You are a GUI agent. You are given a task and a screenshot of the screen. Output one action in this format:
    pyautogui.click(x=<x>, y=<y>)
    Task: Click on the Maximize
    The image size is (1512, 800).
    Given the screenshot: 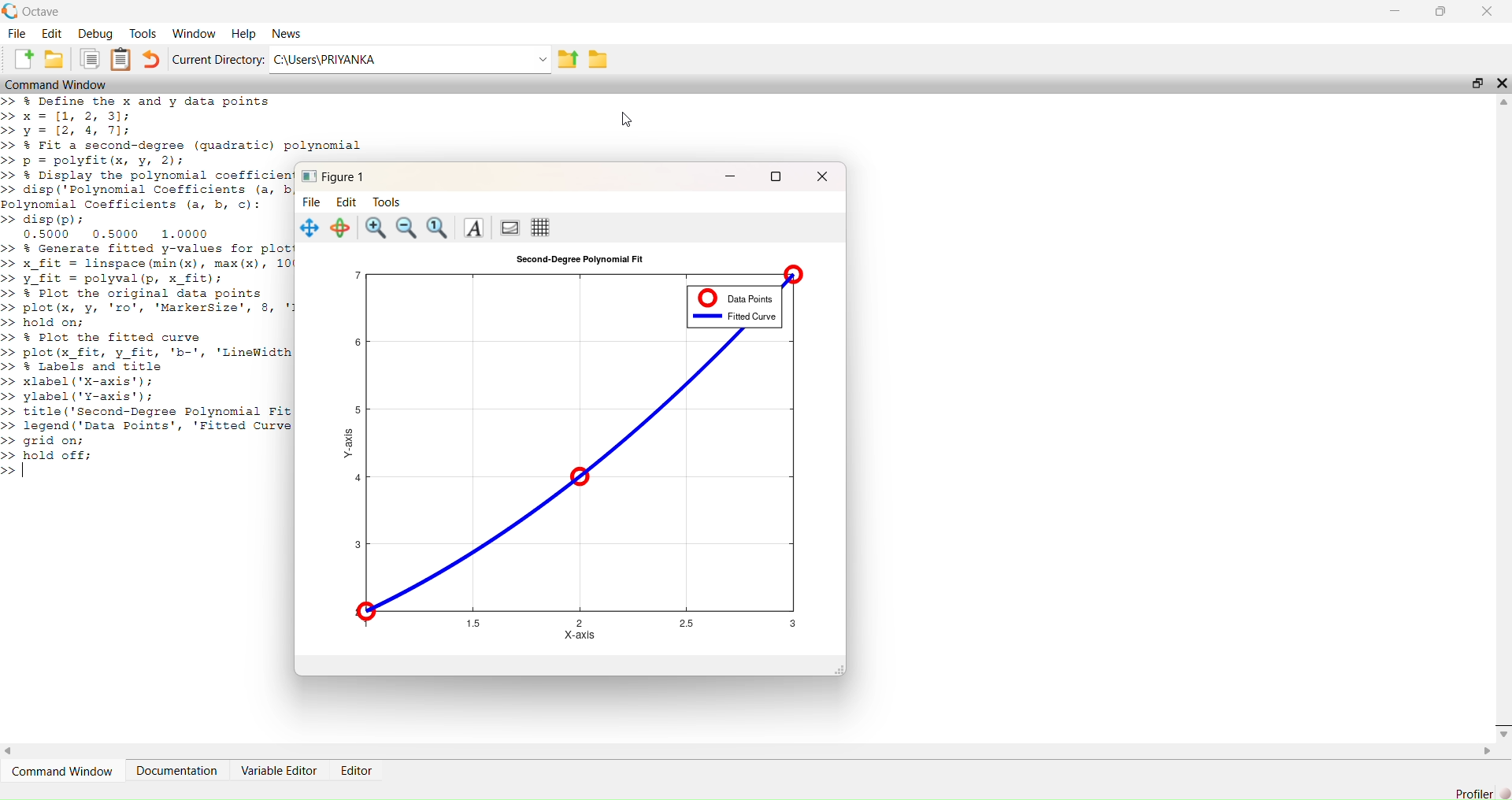 What is the action you would take?
    pyautogui.click(x=778, y=174)
    